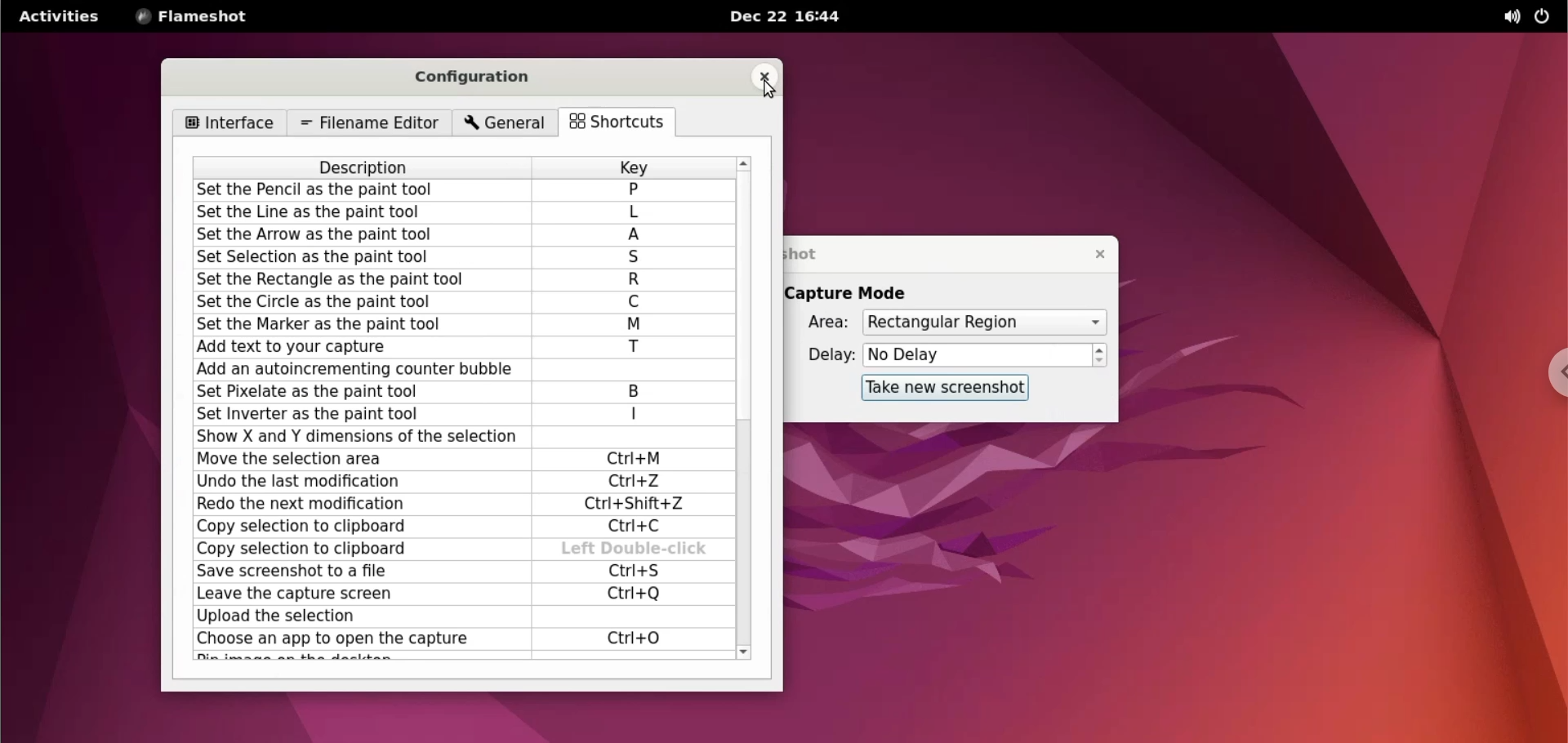 This screenshot has height=743, width=1568. What do you see at coordinates (359, 347) in the screenshot?
I see `add text to your capture` at bounding box center [359, 347].